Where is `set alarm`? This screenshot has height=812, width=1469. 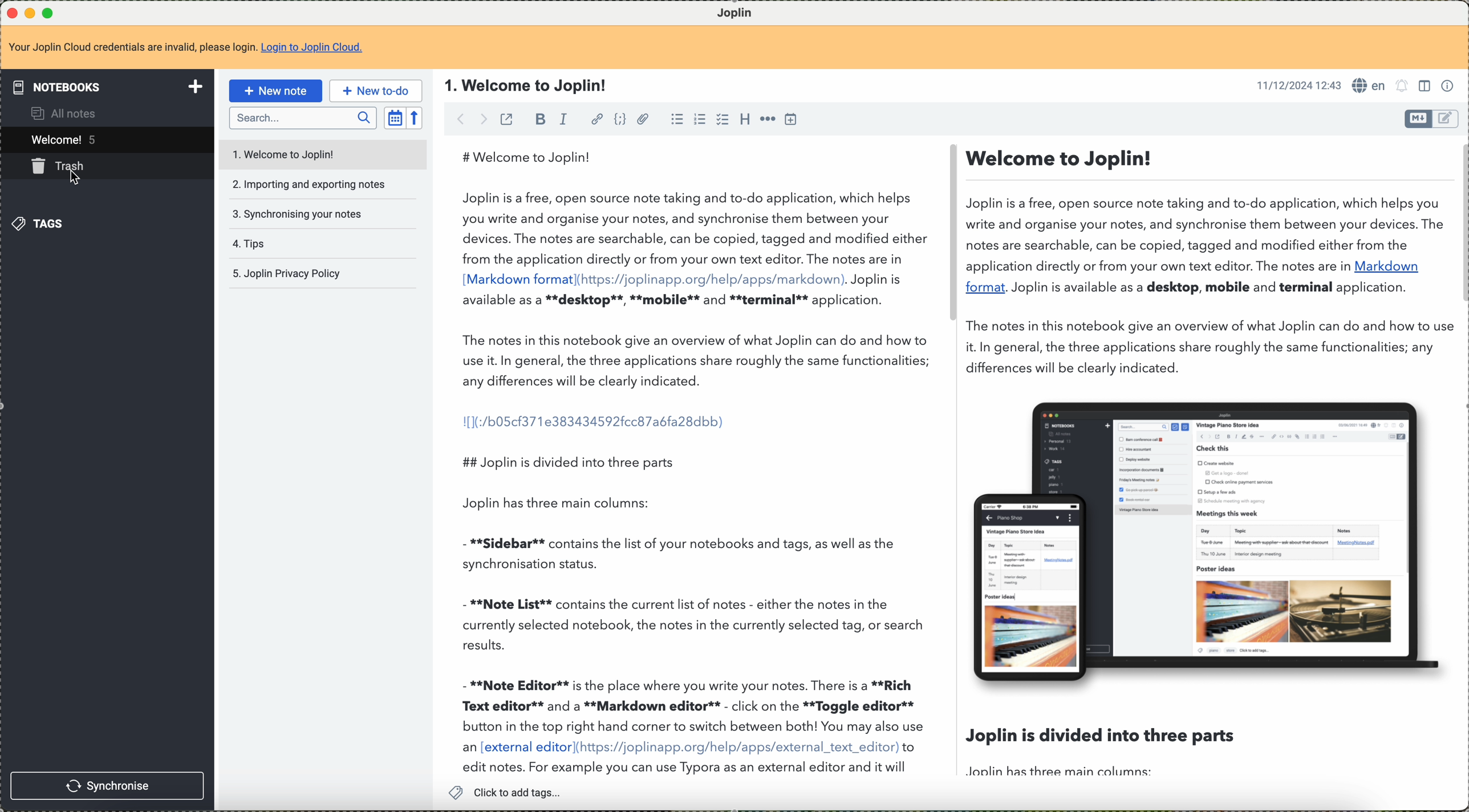 set alarm is located at coordinates (1404, 88).